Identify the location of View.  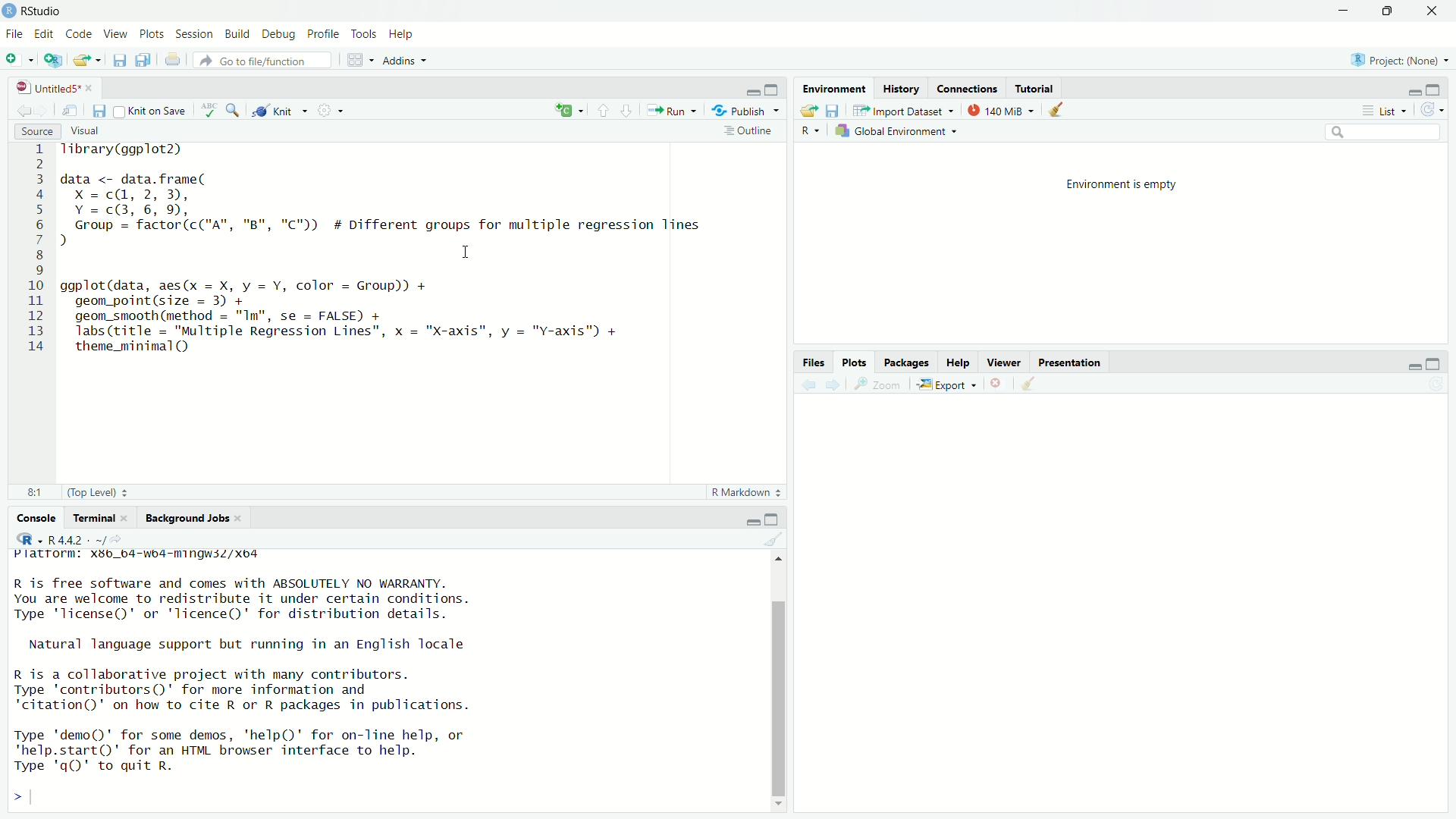
(115, 35).